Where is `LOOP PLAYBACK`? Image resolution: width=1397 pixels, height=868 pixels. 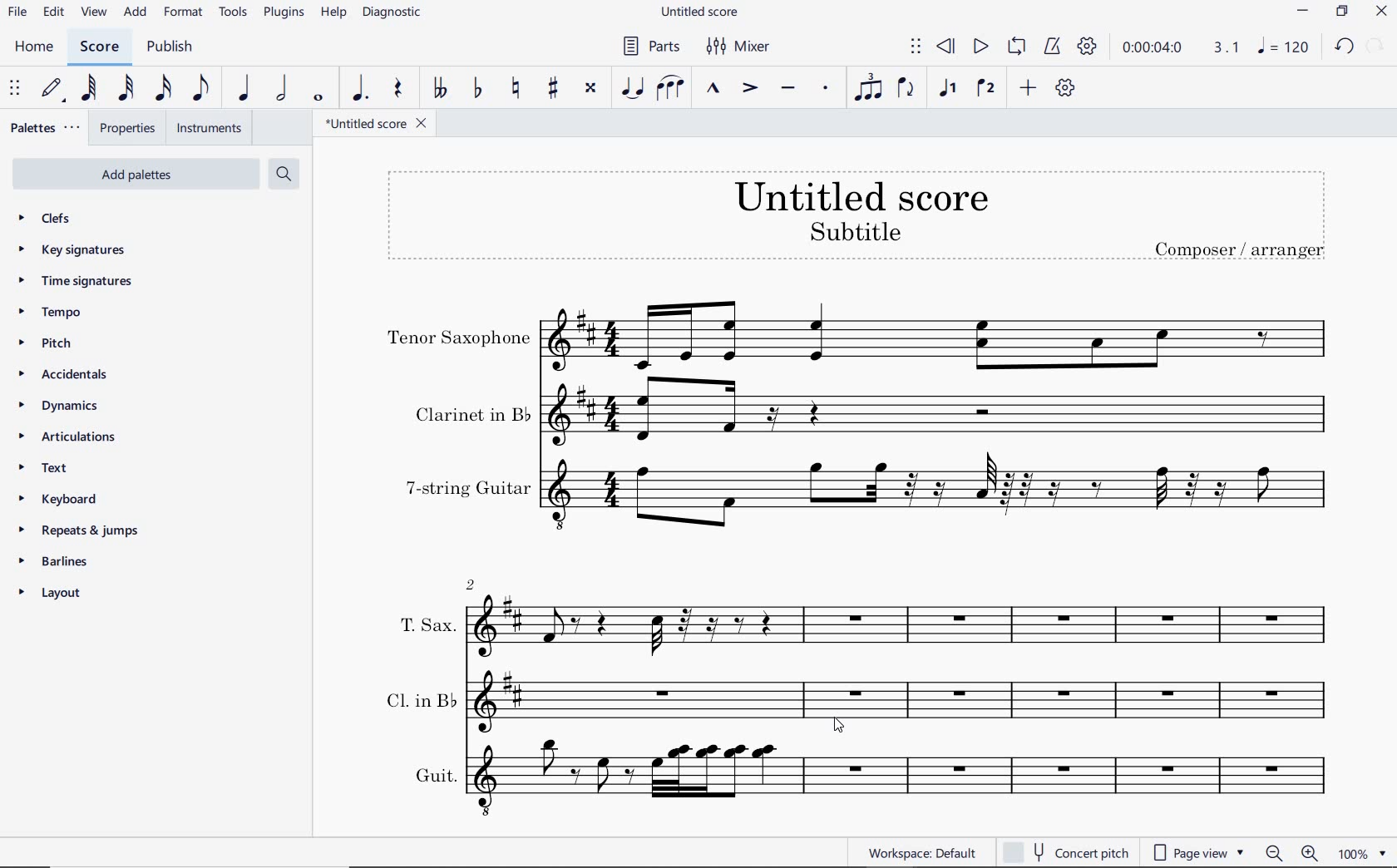 LOOP PLAYBACK is located at coordinates (1015, 48).